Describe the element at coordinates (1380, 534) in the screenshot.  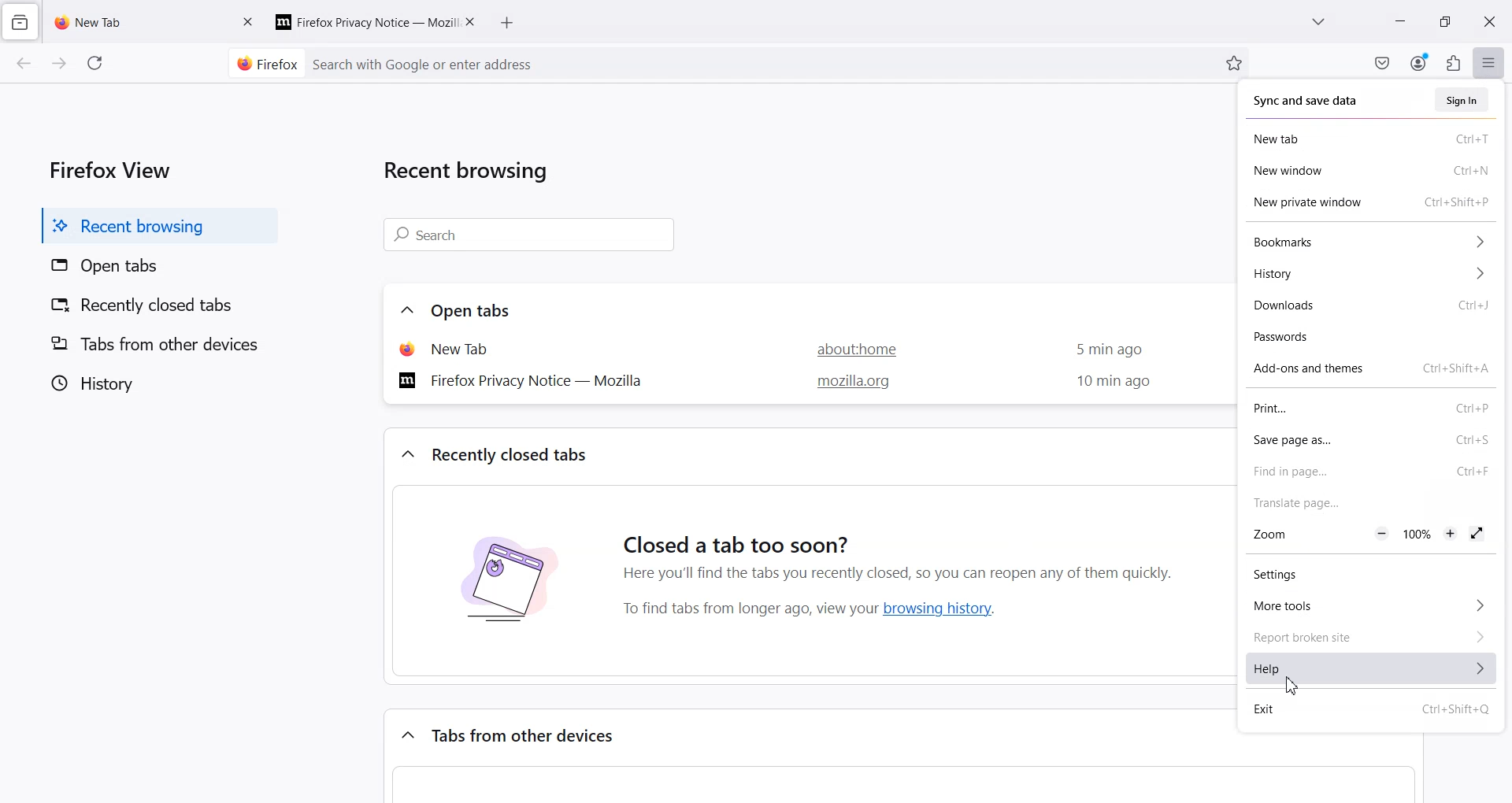
I see `Zoom Out` at that location.